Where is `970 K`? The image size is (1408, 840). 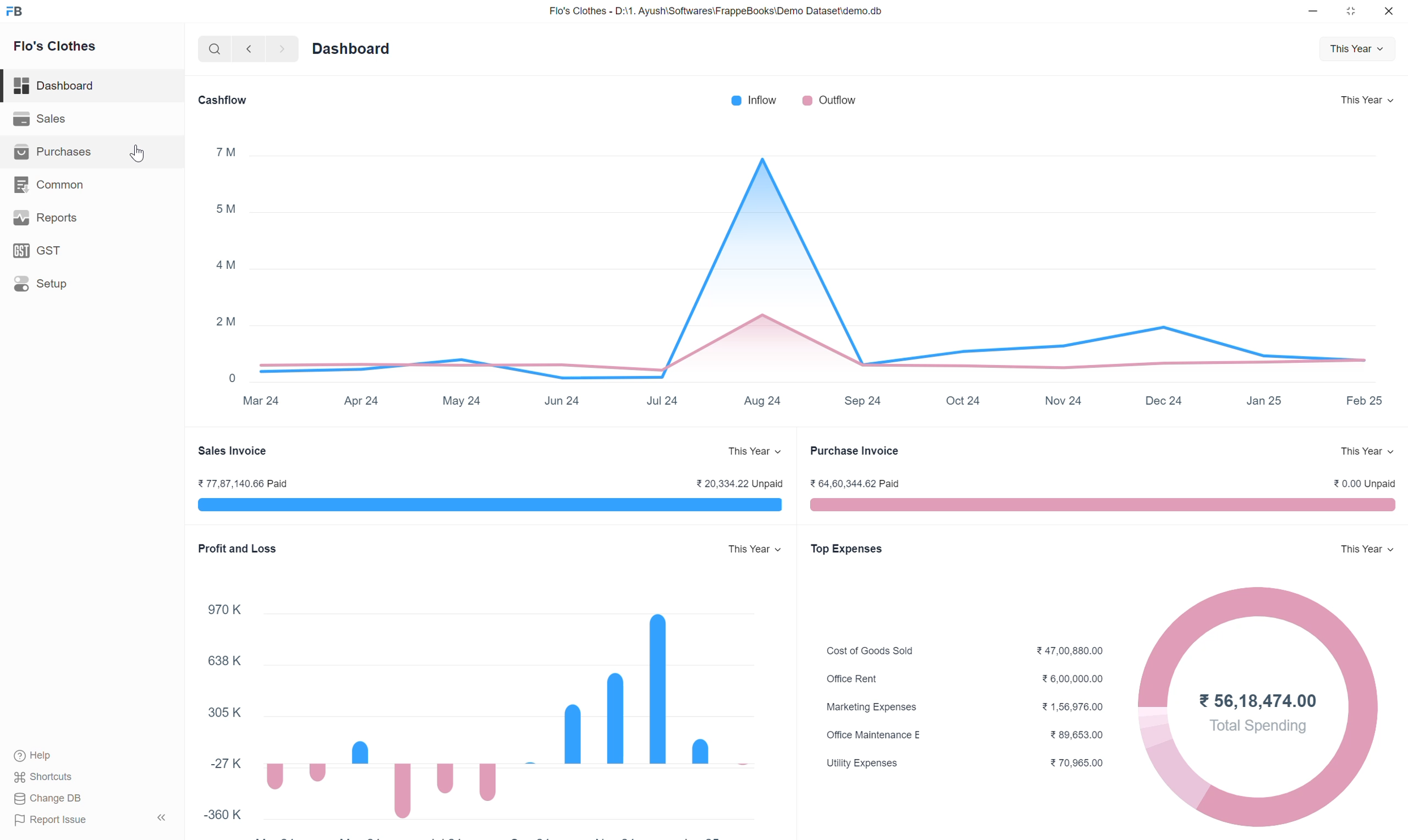
970 K is located at coordinates (225, 610).